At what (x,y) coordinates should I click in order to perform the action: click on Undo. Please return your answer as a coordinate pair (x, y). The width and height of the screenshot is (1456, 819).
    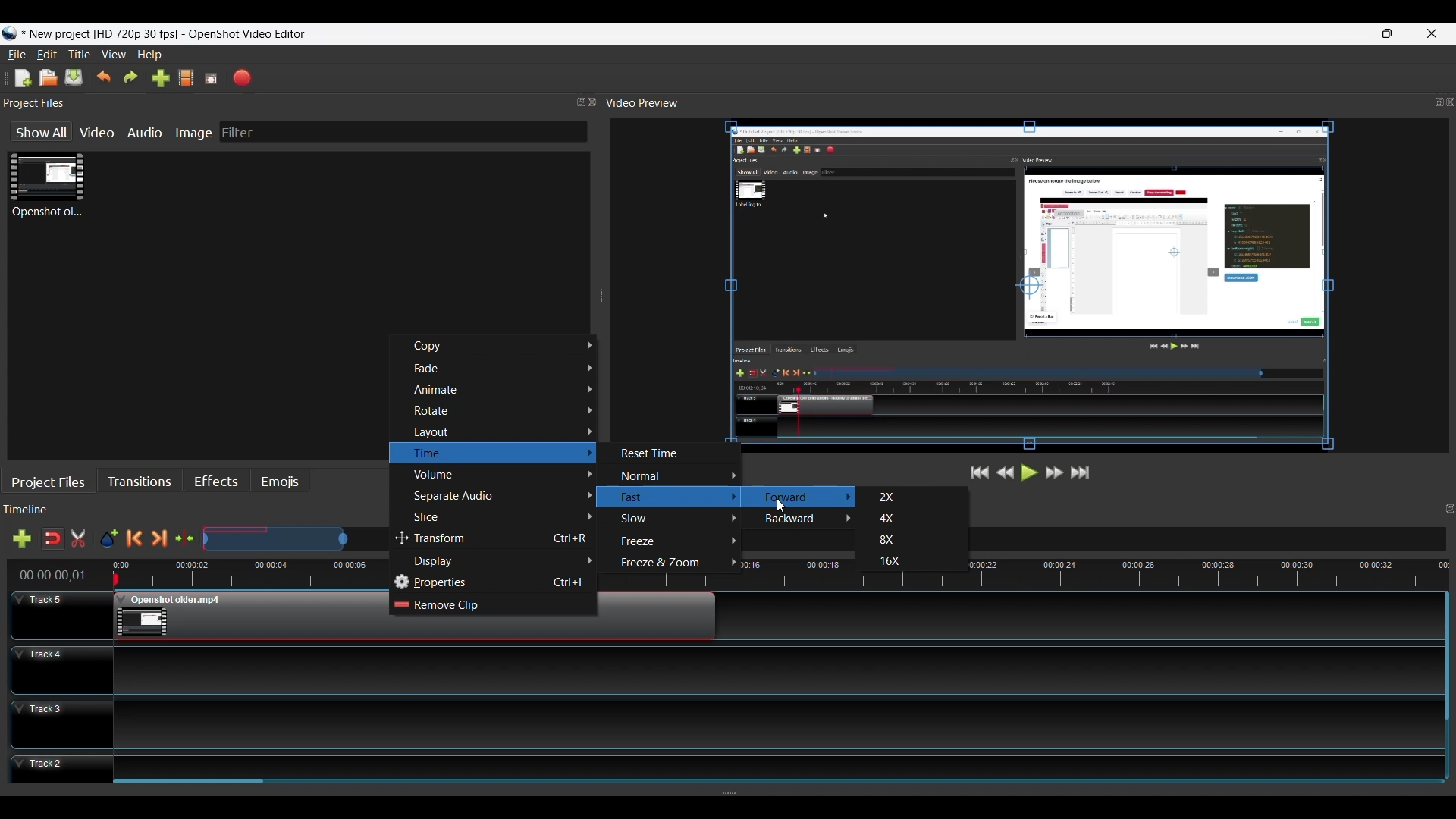
    Looking at the image, I should click on (104, 78).